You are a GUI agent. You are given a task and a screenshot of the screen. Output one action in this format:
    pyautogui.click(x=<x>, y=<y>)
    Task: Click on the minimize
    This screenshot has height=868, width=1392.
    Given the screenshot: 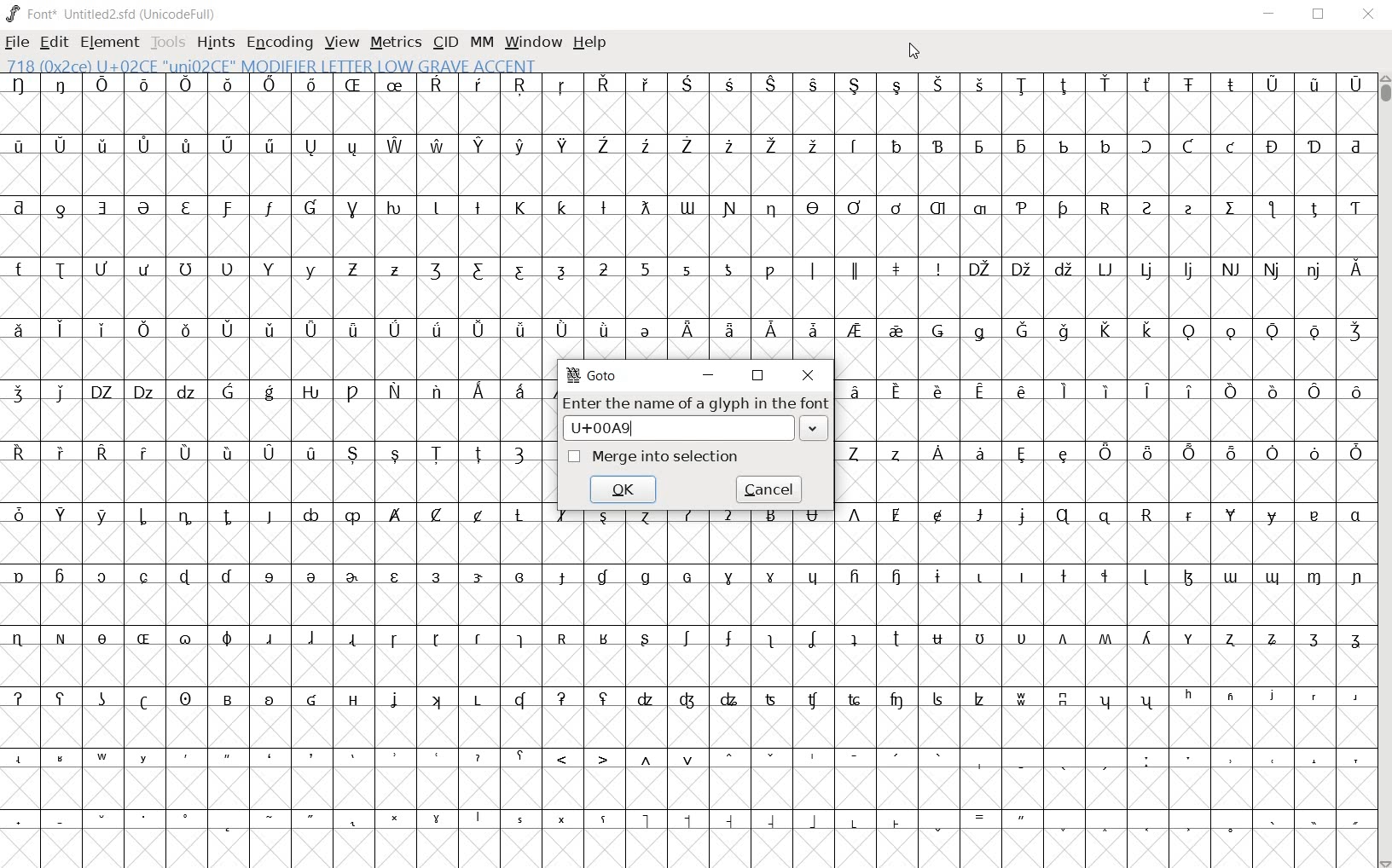 What is the action you would take?
    pyautogui.click(x=1269, y=14)
    